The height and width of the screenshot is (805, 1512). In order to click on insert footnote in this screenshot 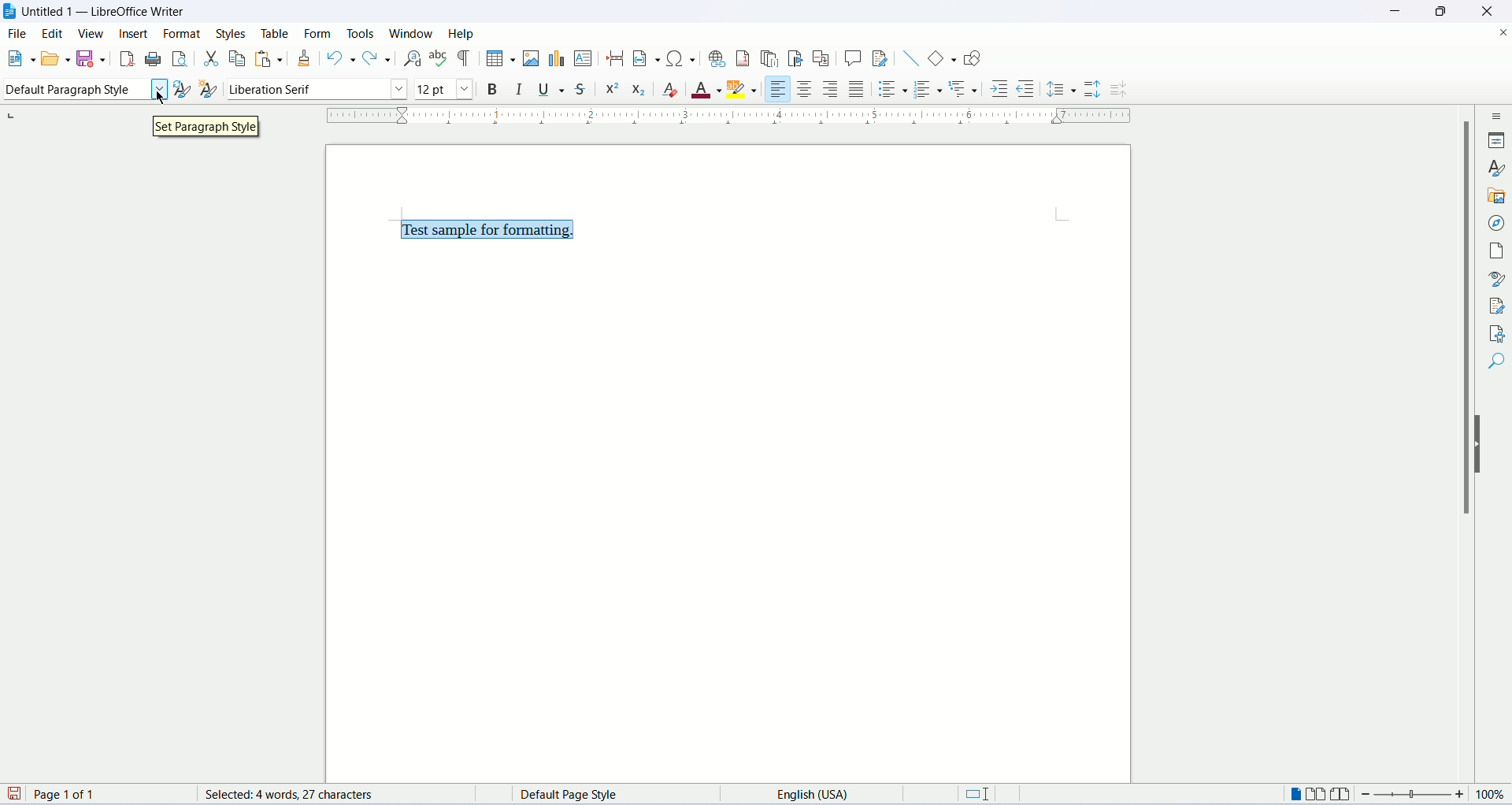, I will do `click(744, 58)`.